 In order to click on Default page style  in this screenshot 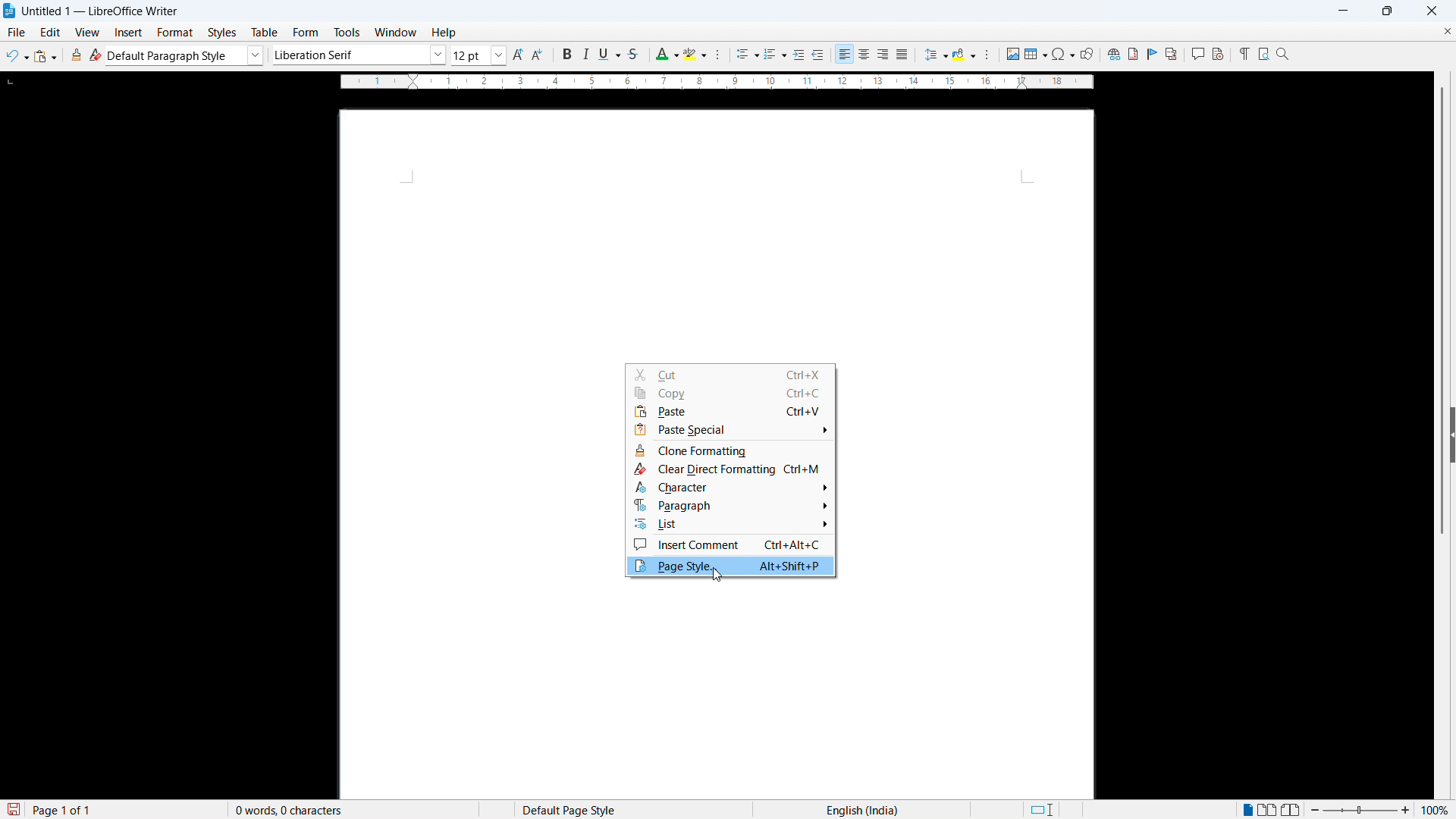, I will do `click(567, 809)`.